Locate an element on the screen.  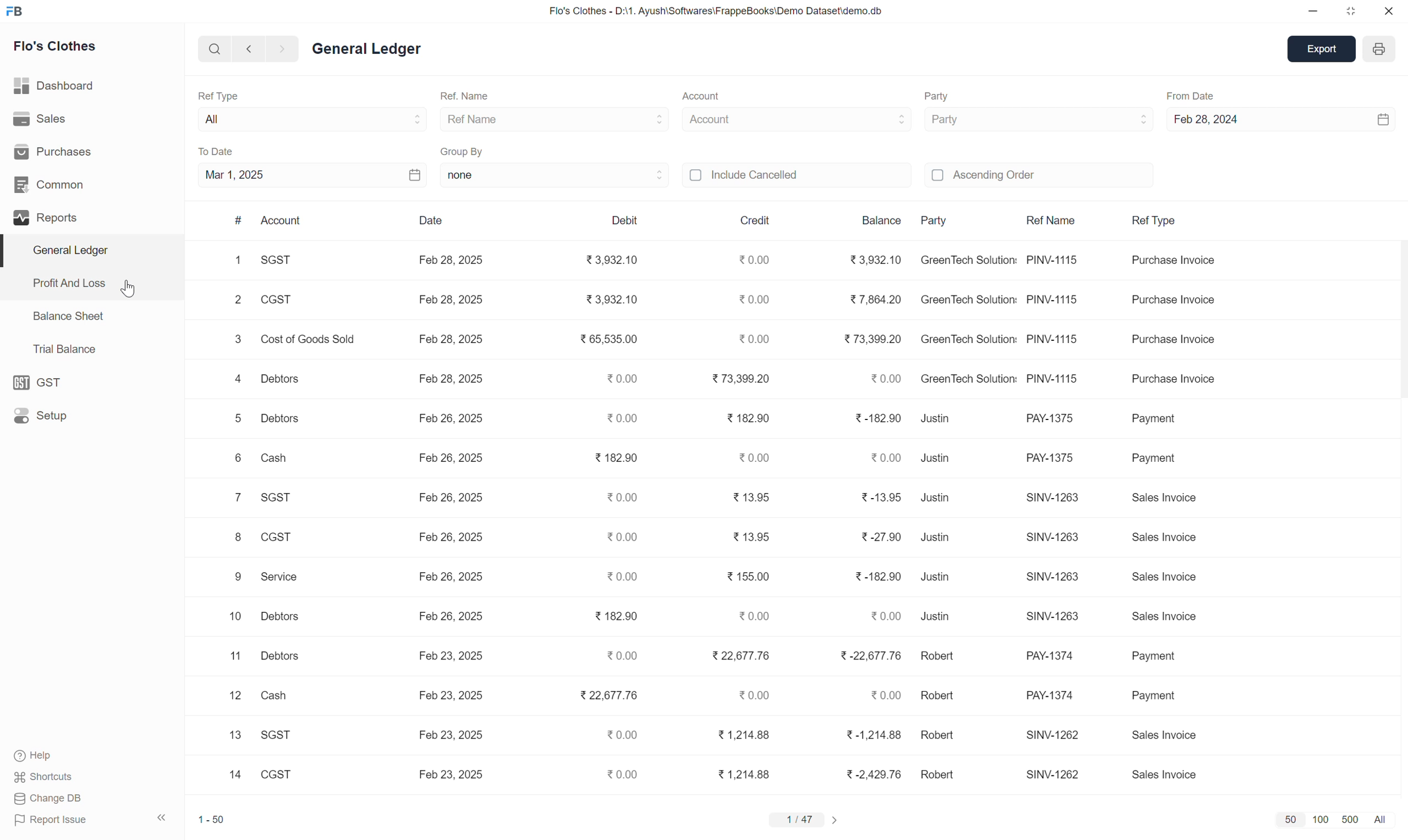
PINV-1115 is located at coordinates (1056, 297).